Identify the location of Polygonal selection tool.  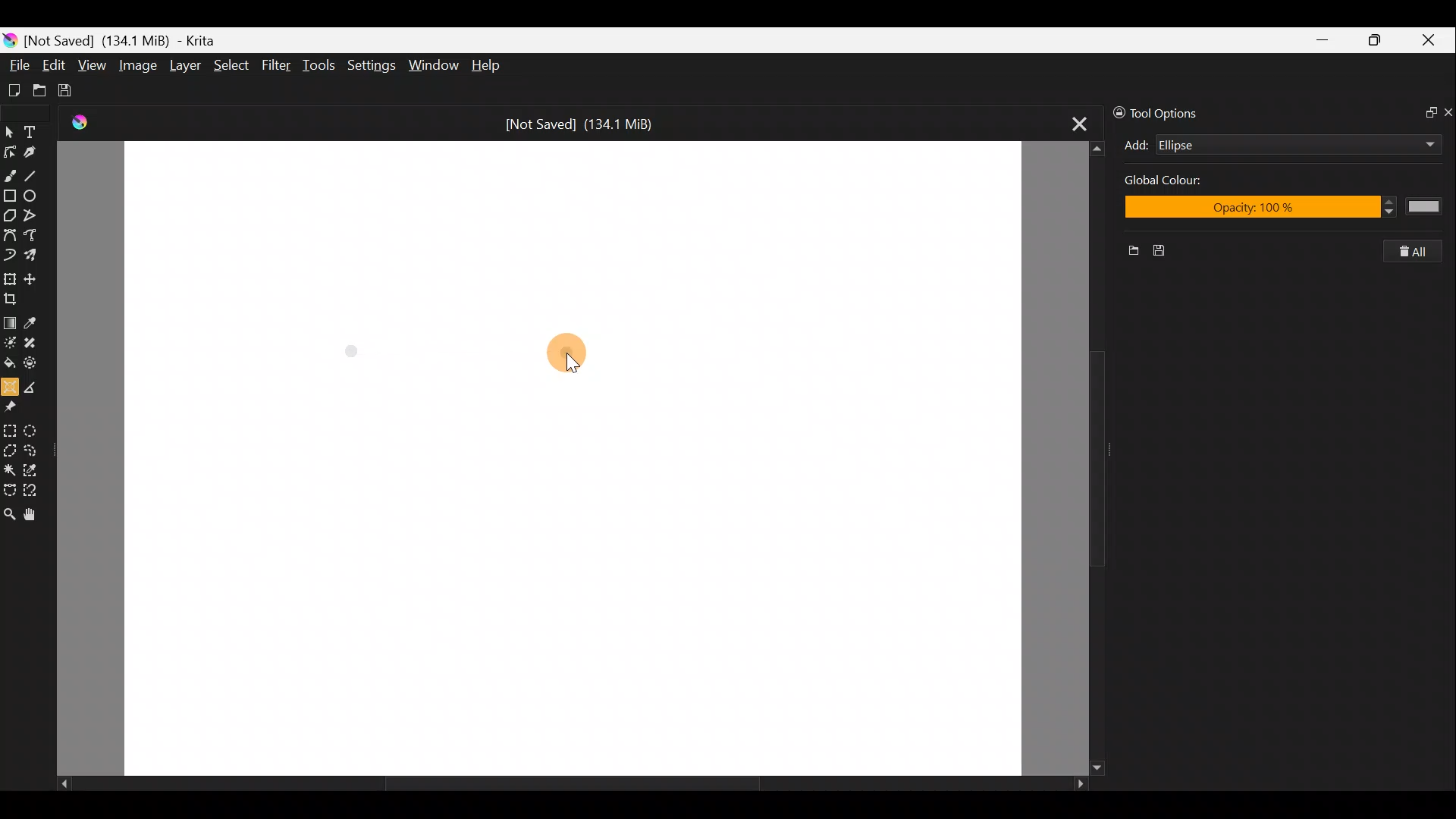
(10, 448).